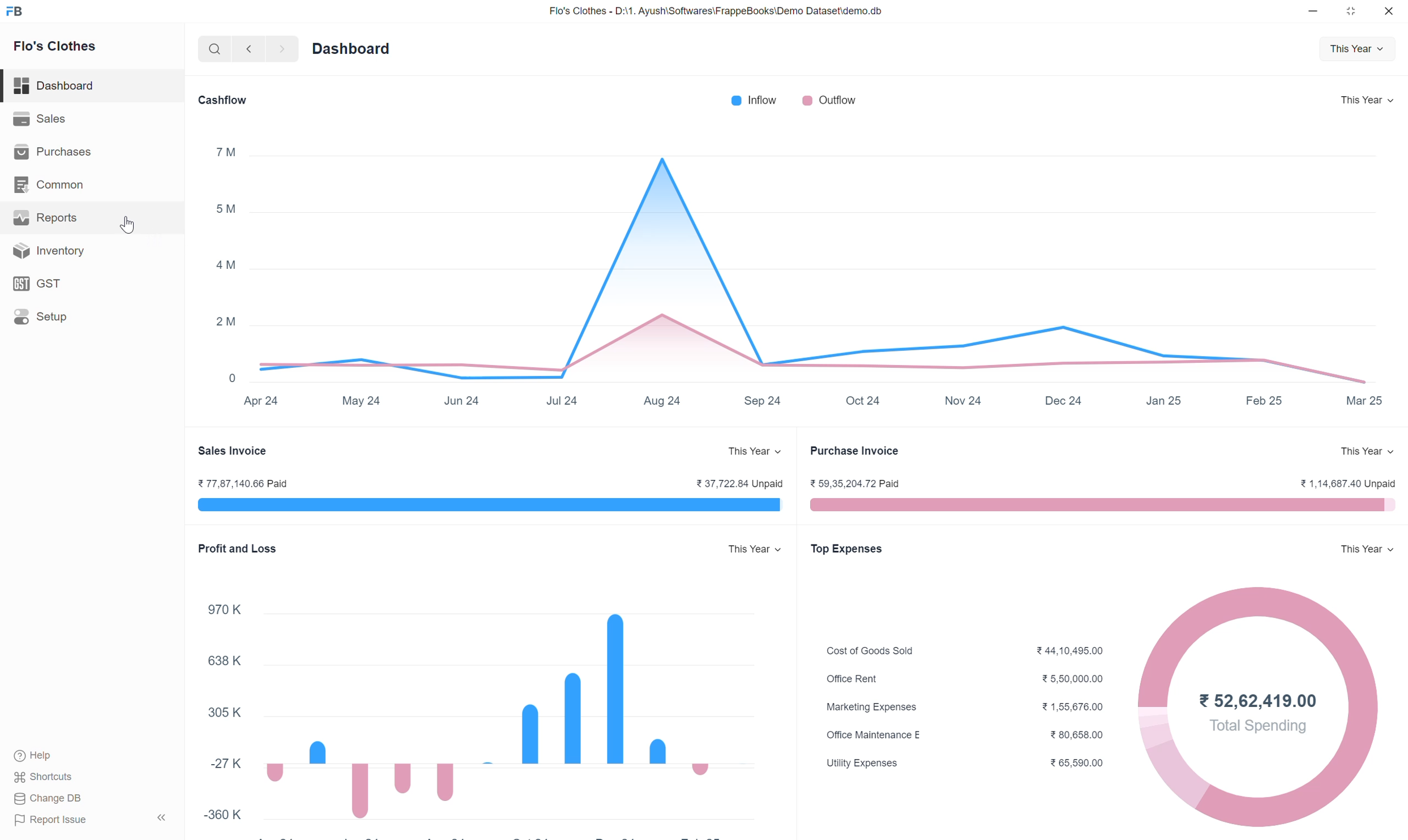 The width and height of the screenshot is (1408, 840). What do you see at coordinates (219, 661) in the screenshot?
I see `638 K` at bounding box center [219, 661].